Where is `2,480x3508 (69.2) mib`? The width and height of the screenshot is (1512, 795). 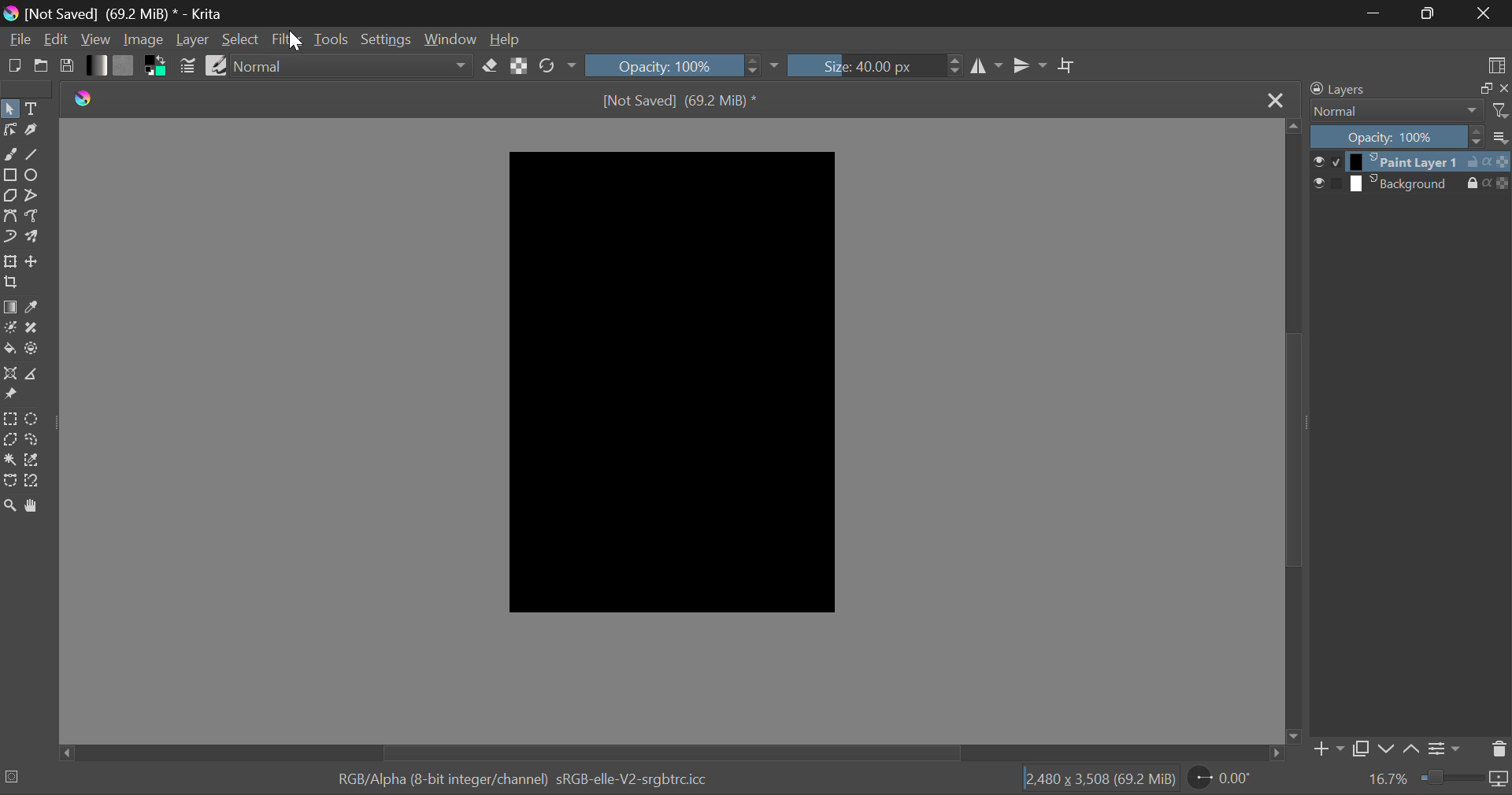
2,480x3508 (69.2) mib is located at coordinates (1095, 782).